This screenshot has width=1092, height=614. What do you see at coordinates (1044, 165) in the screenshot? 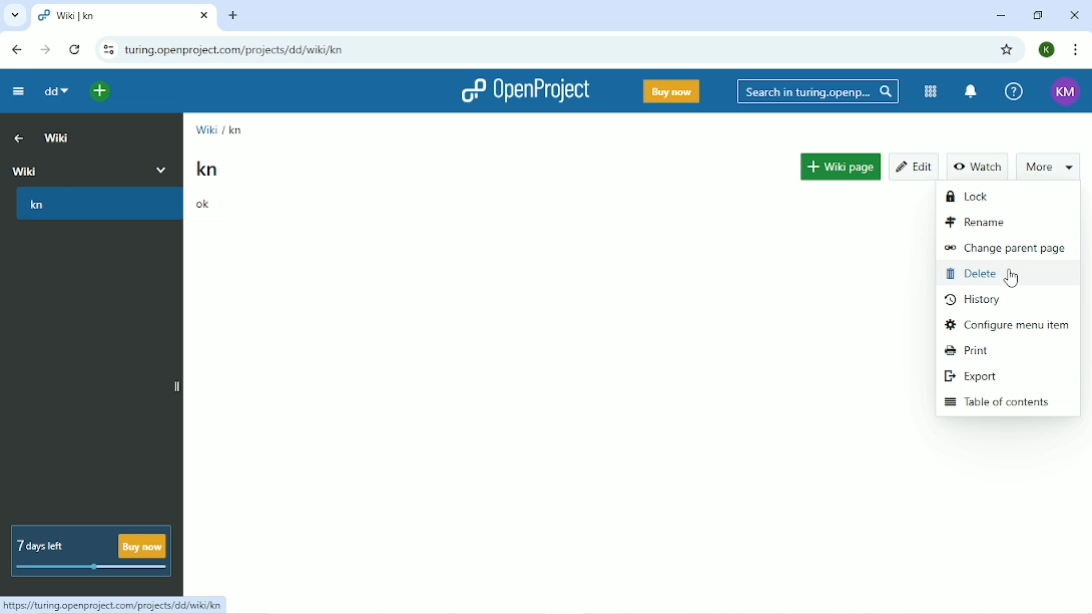
I see `More` at bounding box center [1044, 165].